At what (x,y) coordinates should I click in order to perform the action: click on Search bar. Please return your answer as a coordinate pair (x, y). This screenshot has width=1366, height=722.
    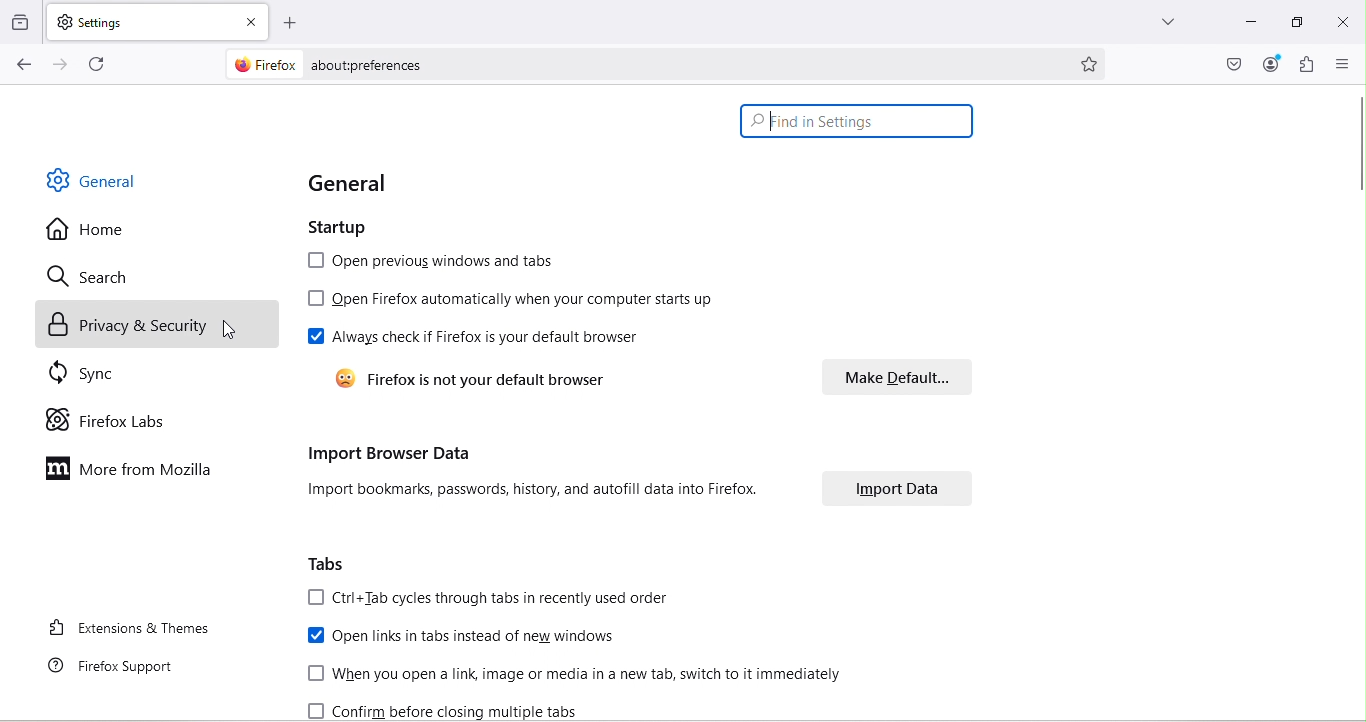
    Looking at the image, I should click on (858, 121).